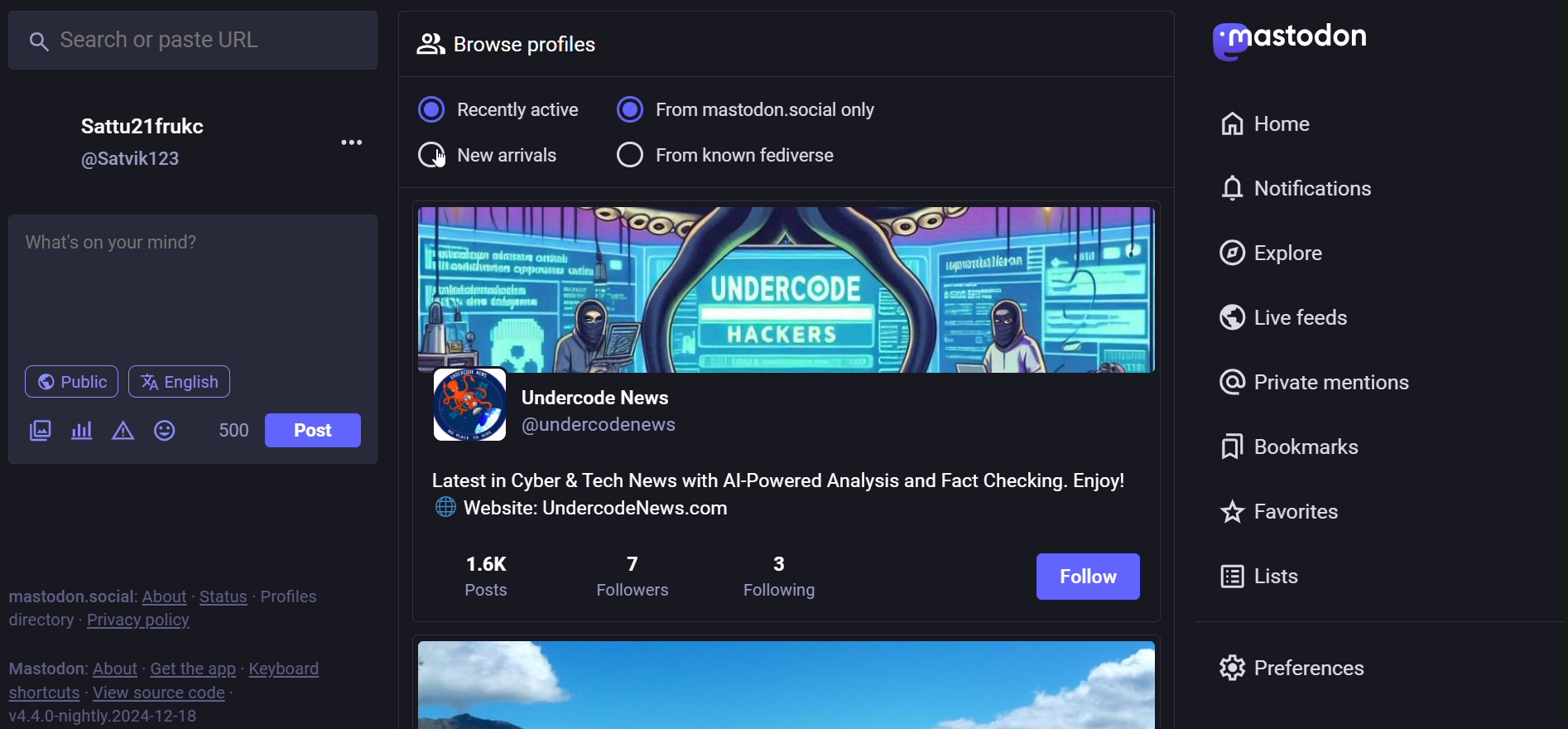 This screenshot has height=729, width=1568. What do you see at coordinates (41, 620) in the screenshot?
I see `directory` at bounding box center [41, 620].